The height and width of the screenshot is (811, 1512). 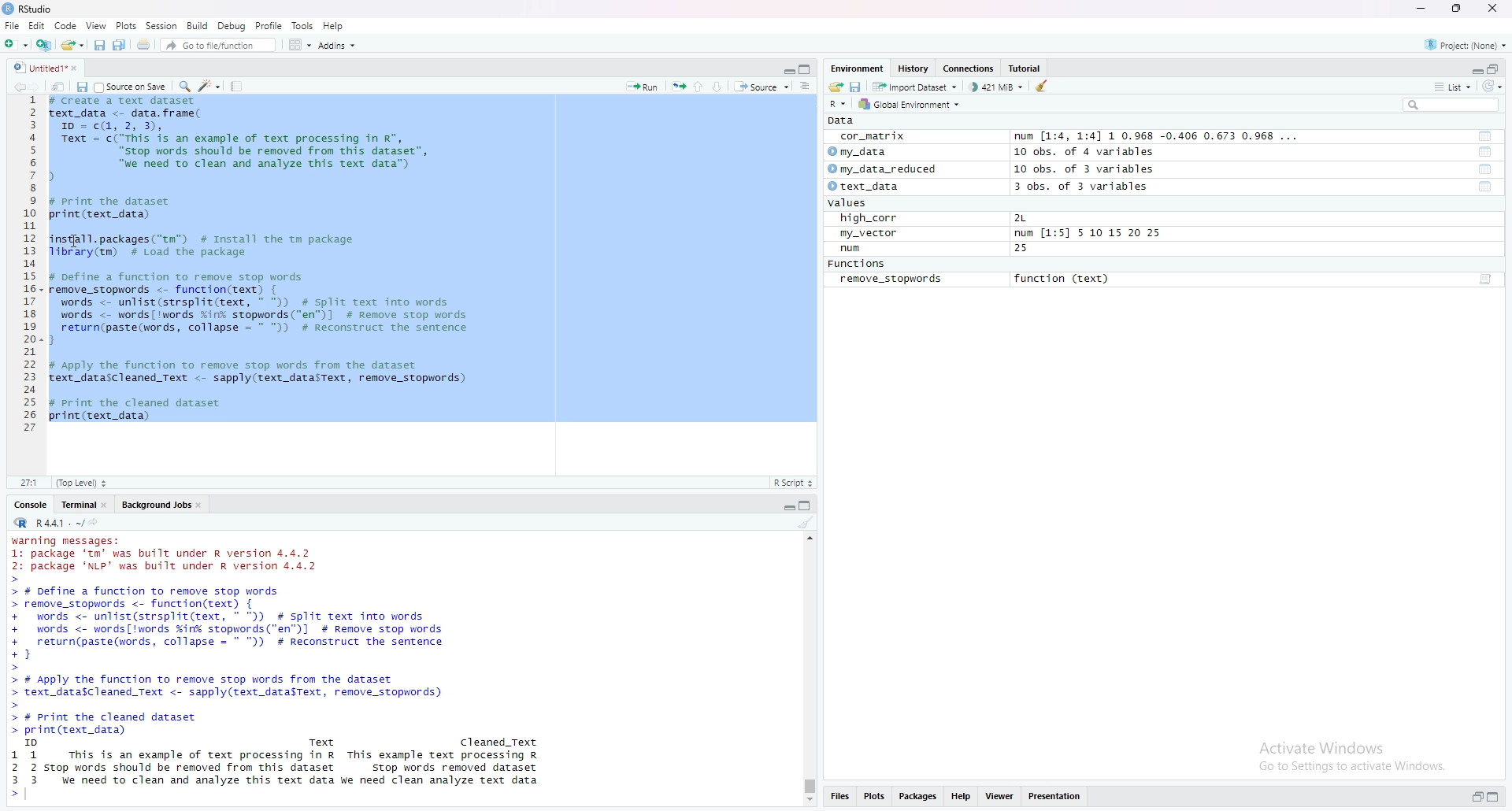 I want to click on expand, so click(x=1475, y=796).